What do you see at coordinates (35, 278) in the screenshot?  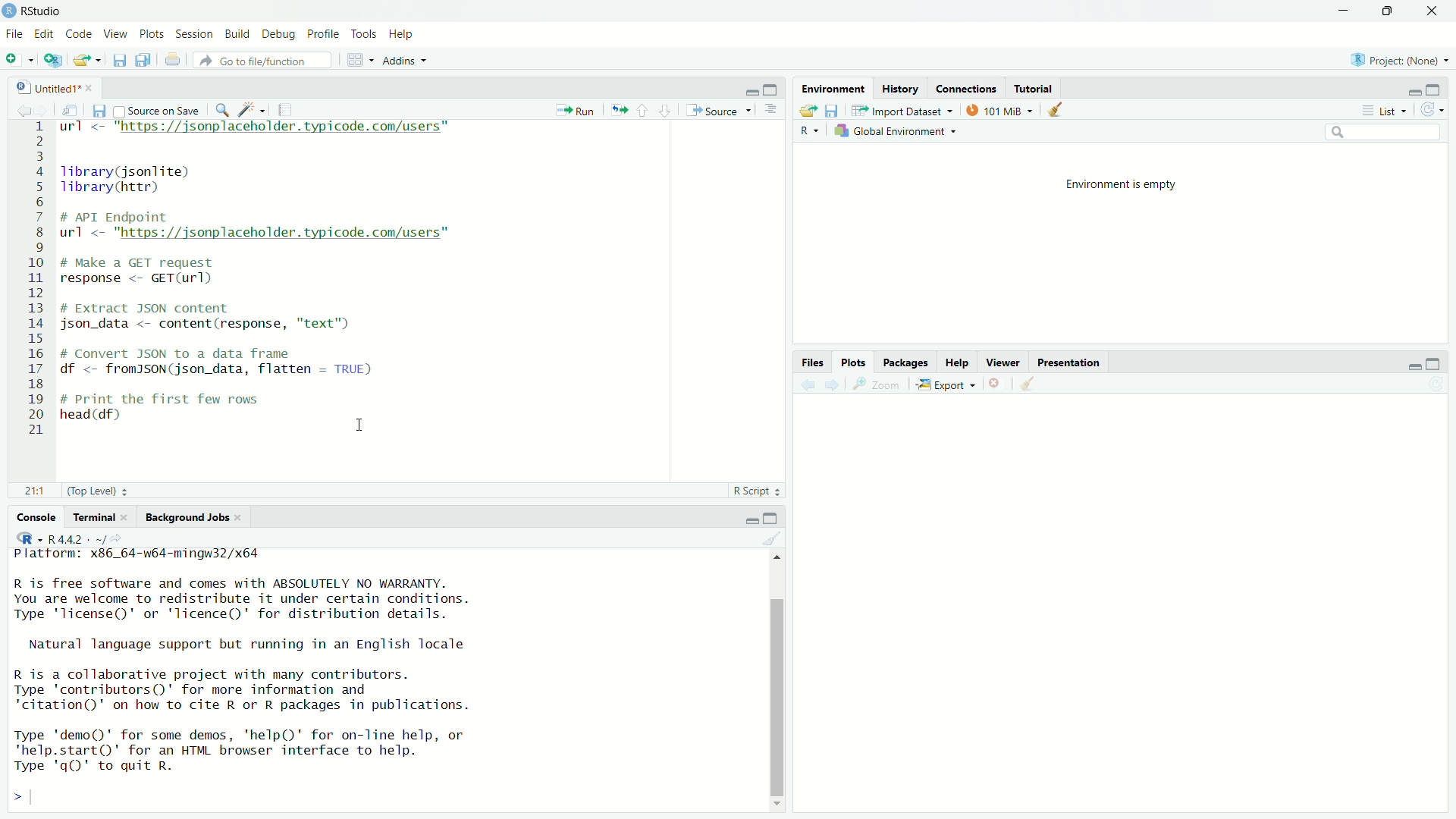 I see `Rows` at bounding box center [35, 278].